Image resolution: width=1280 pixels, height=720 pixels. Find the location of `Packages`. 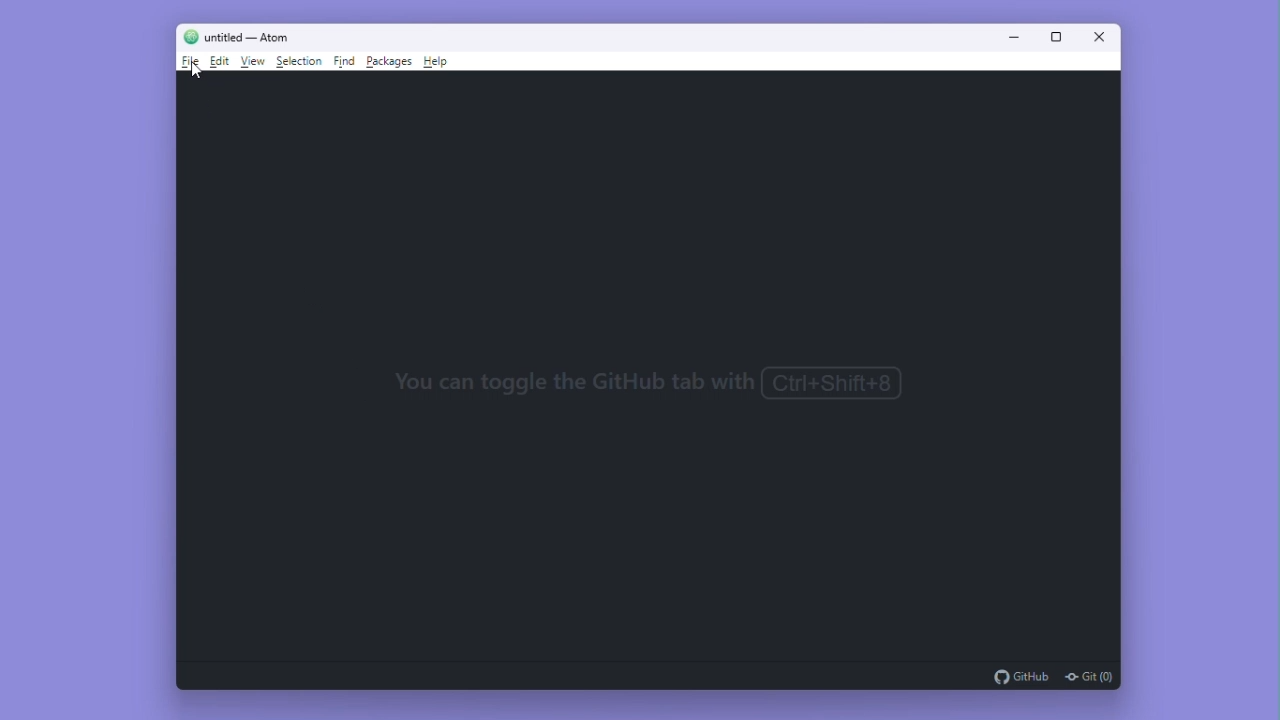

Packages is located at coordinates (389, 63).